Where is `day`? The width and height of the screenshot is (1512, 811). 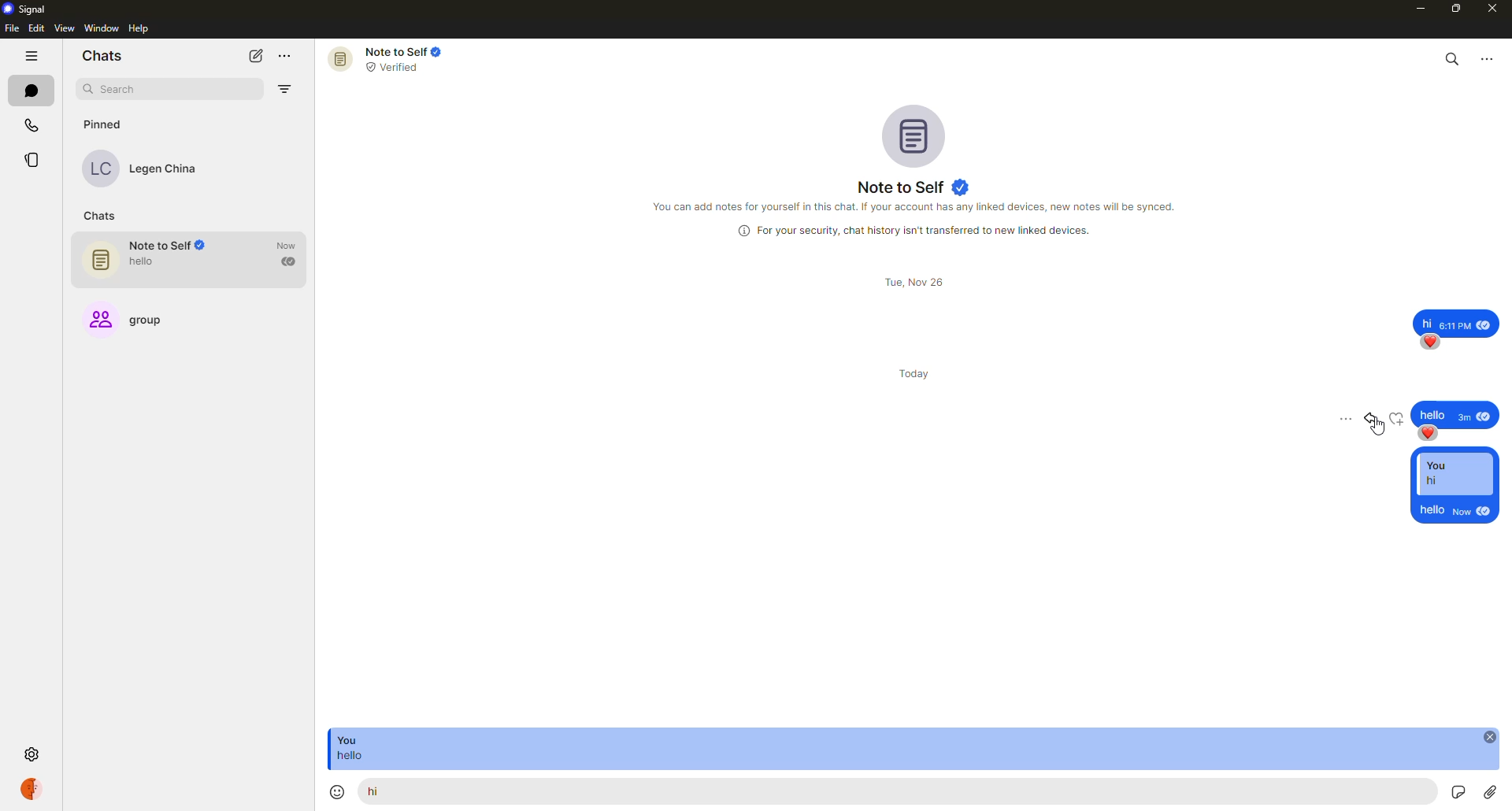
day is located at coordinates (913, 283).